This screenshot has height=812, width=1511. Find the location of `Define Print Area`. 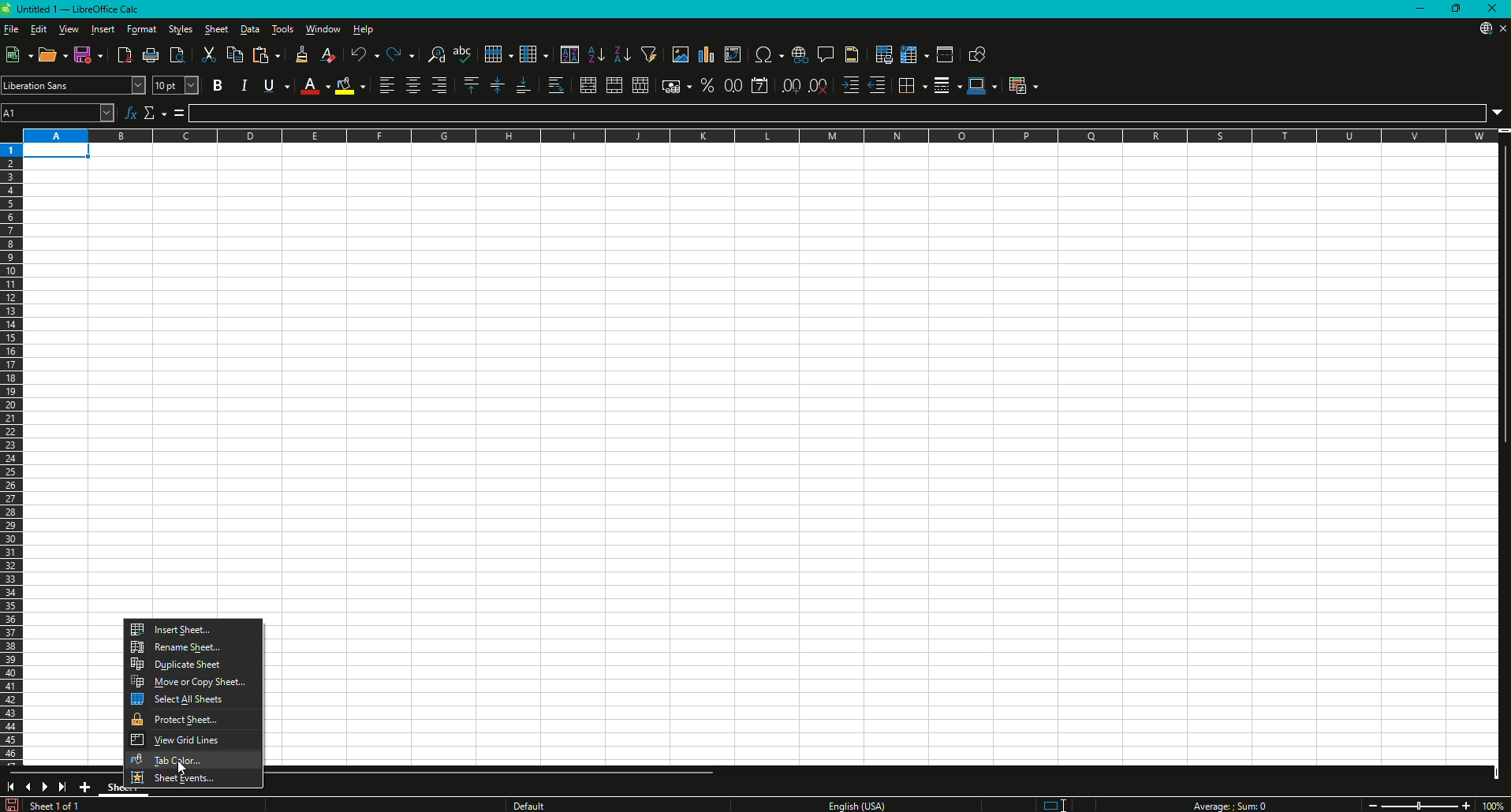

Define Print Area is located at coordinates (884, 54).